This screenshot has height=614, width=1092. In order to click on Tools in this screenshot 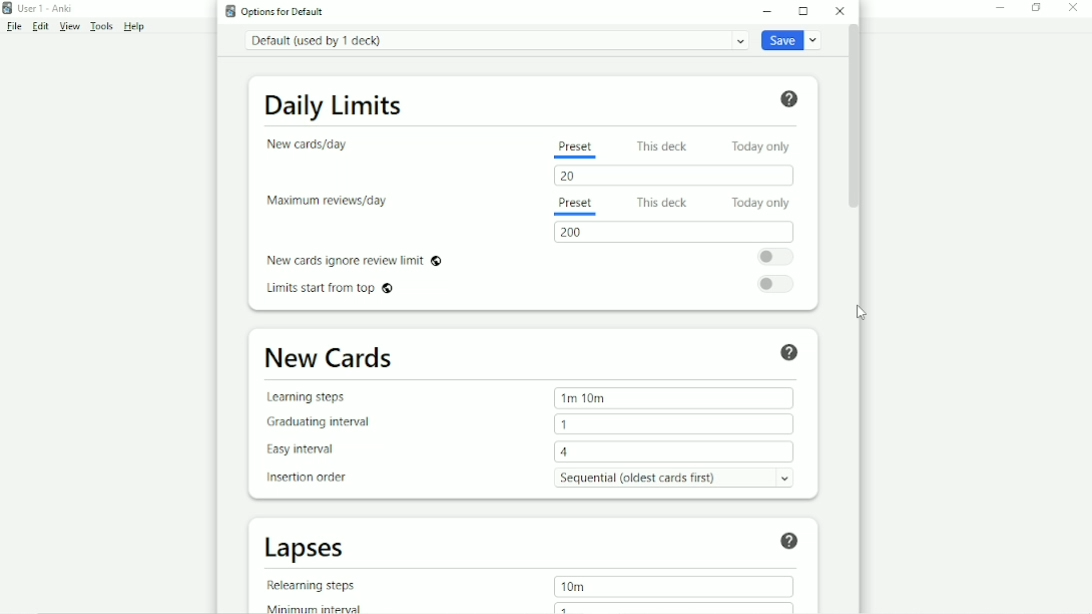, I will do `click(103, 27)`.